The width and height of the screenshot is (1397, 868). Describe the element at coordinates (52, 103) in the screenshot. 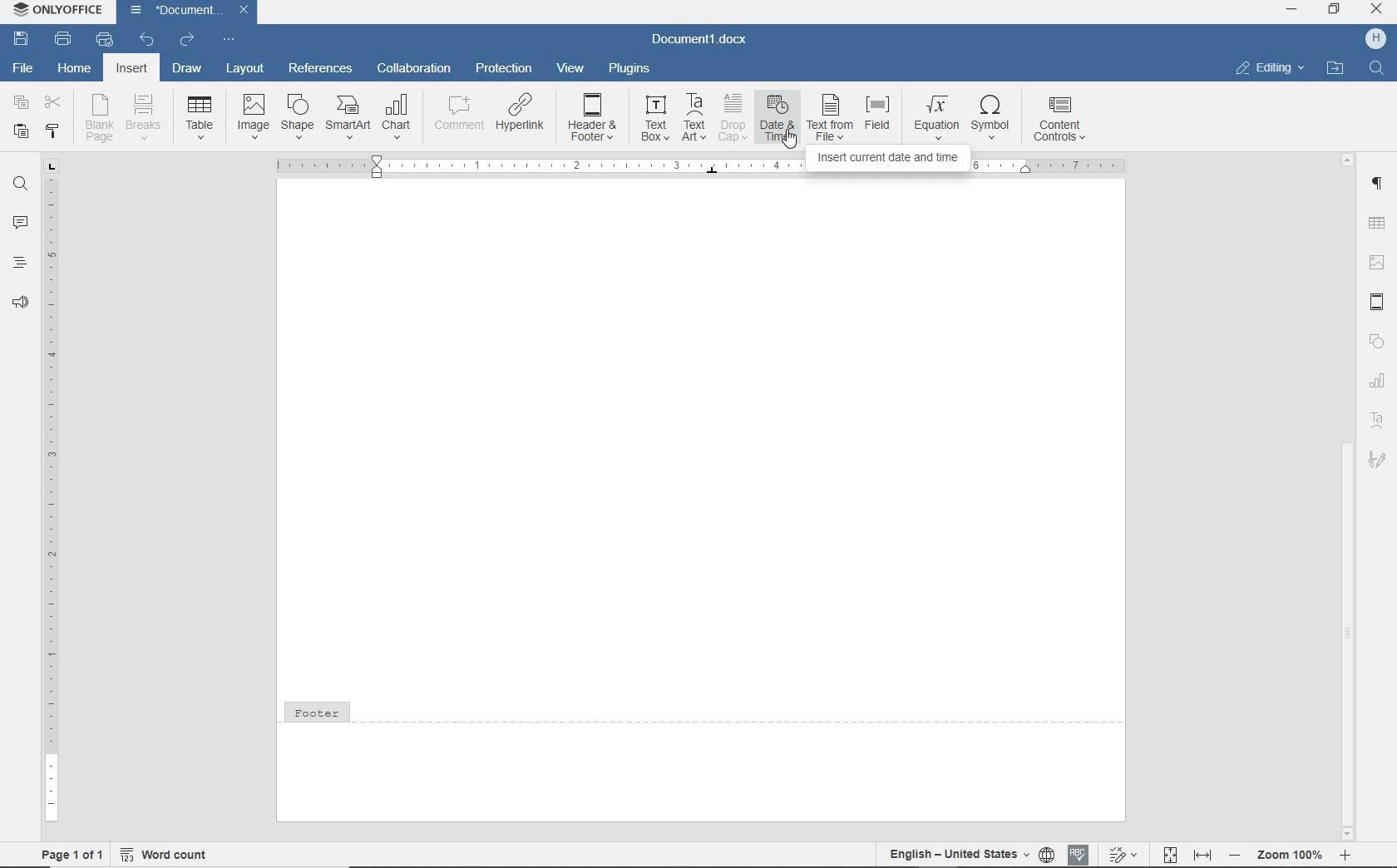

I see `cut` at that location.